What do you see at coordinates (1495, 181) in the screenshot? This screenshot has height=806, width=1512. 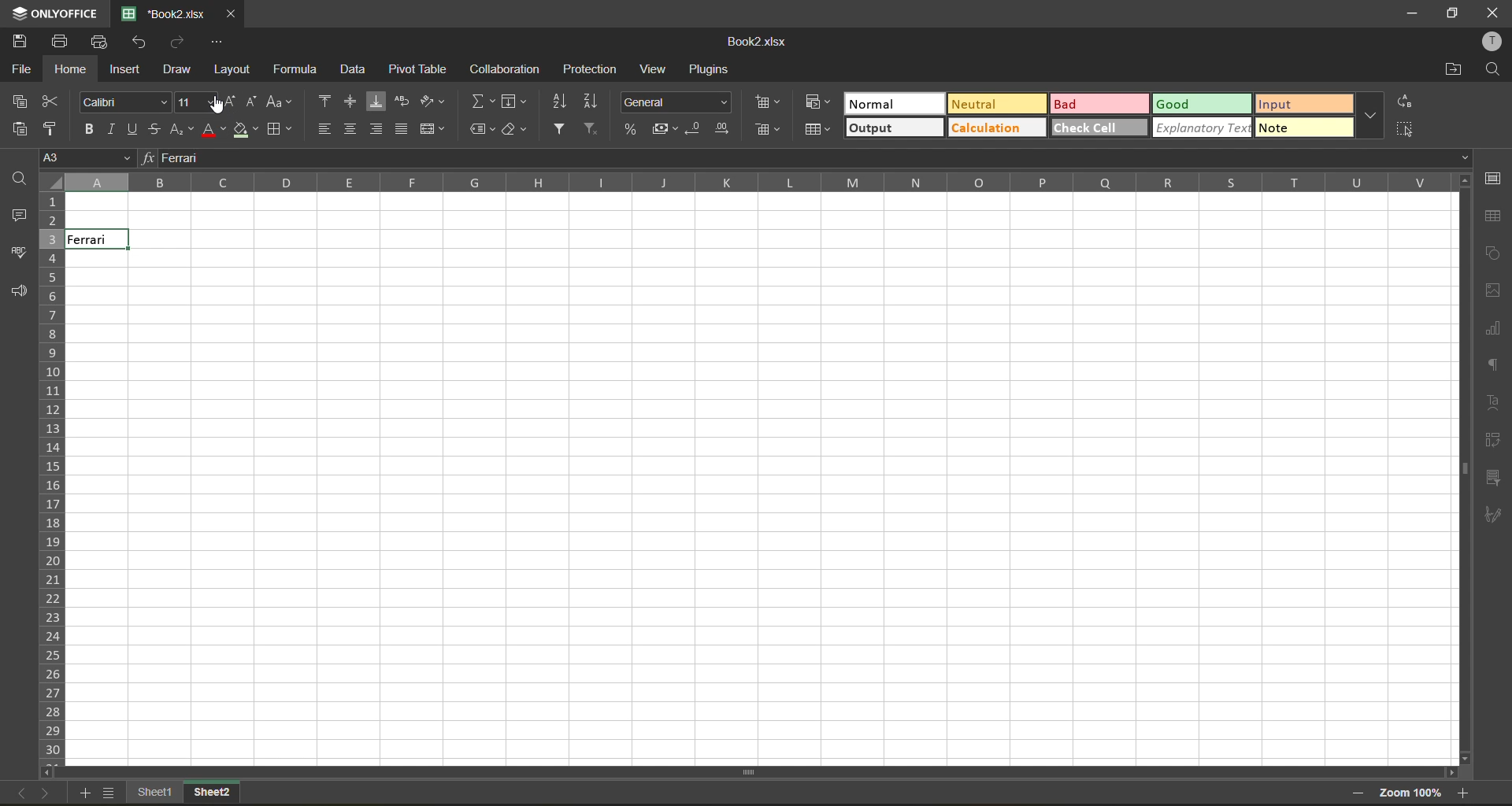 I see `cell settings` at bounding box center [1495, 181].